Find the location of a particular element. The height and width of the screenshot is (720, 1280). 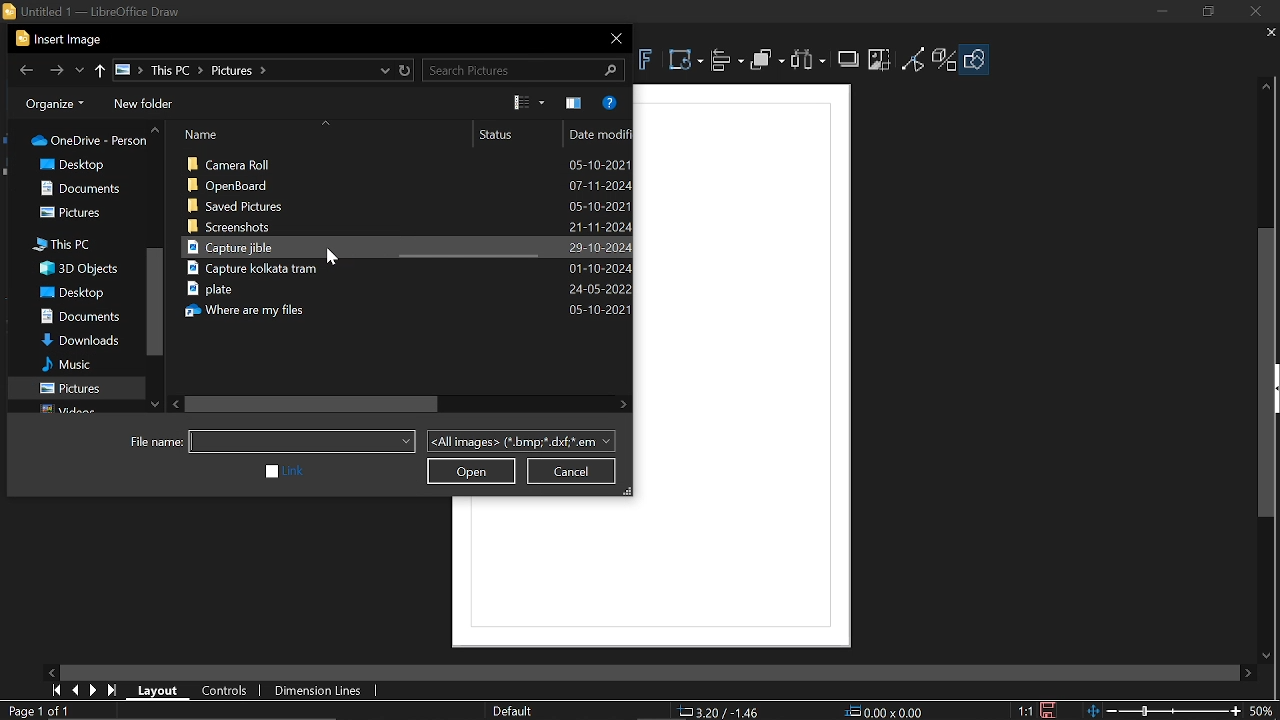

Organize is located at coordinates (54, 106).